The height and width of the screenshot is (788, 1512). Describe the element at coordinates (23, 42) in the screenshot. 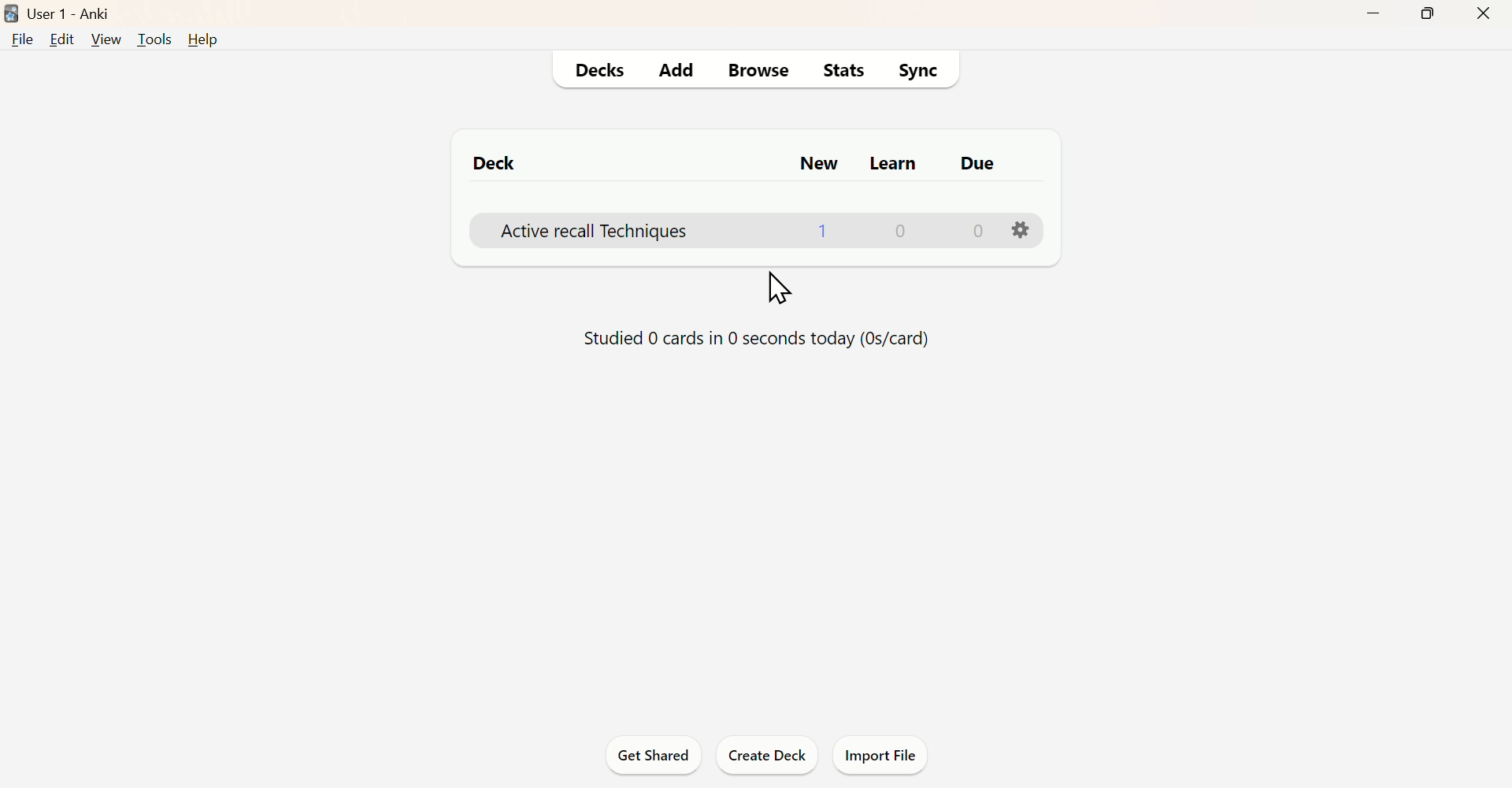

I see `File` at that location.